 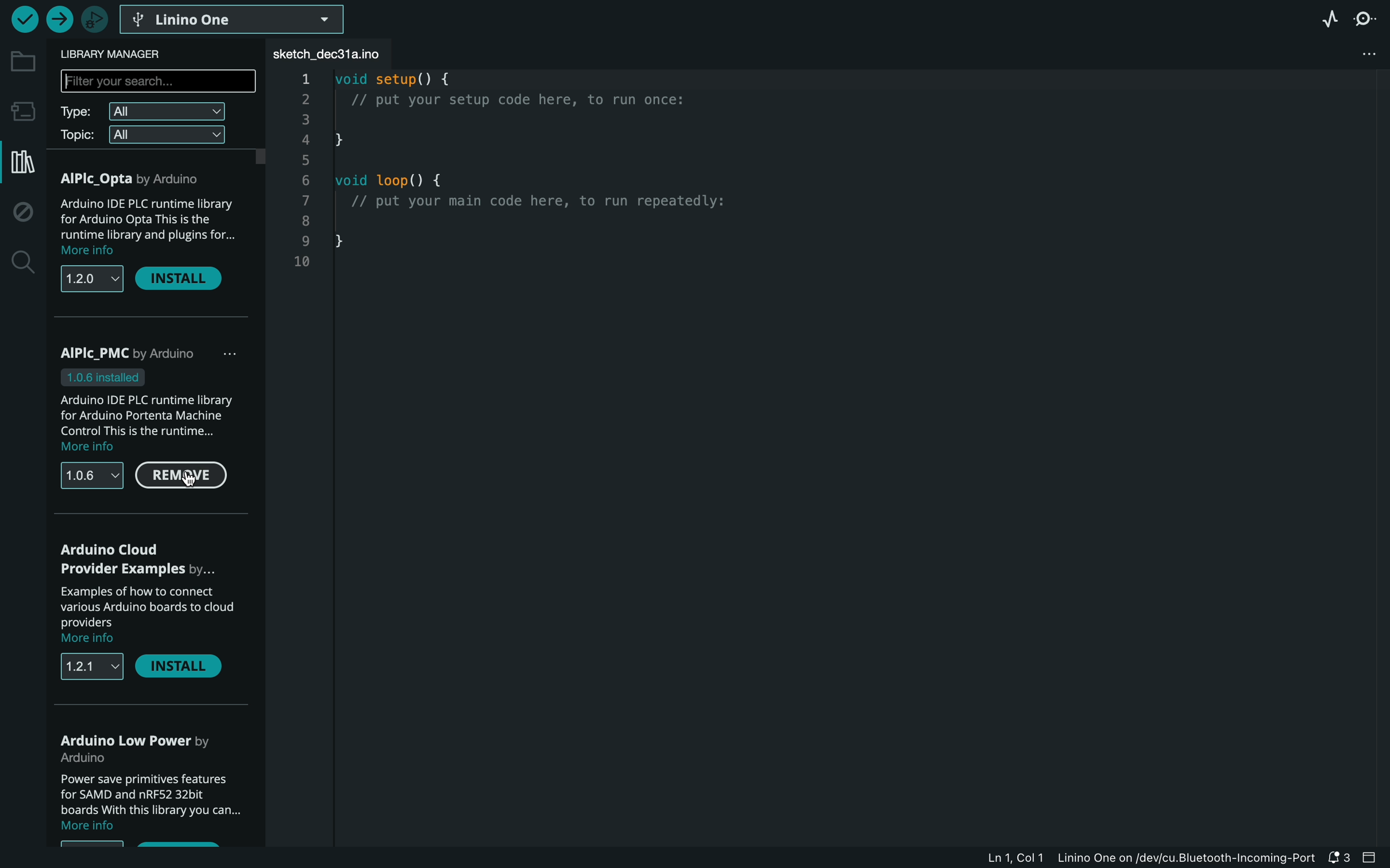 I want to click on search bar, so click(x=156, y=83).